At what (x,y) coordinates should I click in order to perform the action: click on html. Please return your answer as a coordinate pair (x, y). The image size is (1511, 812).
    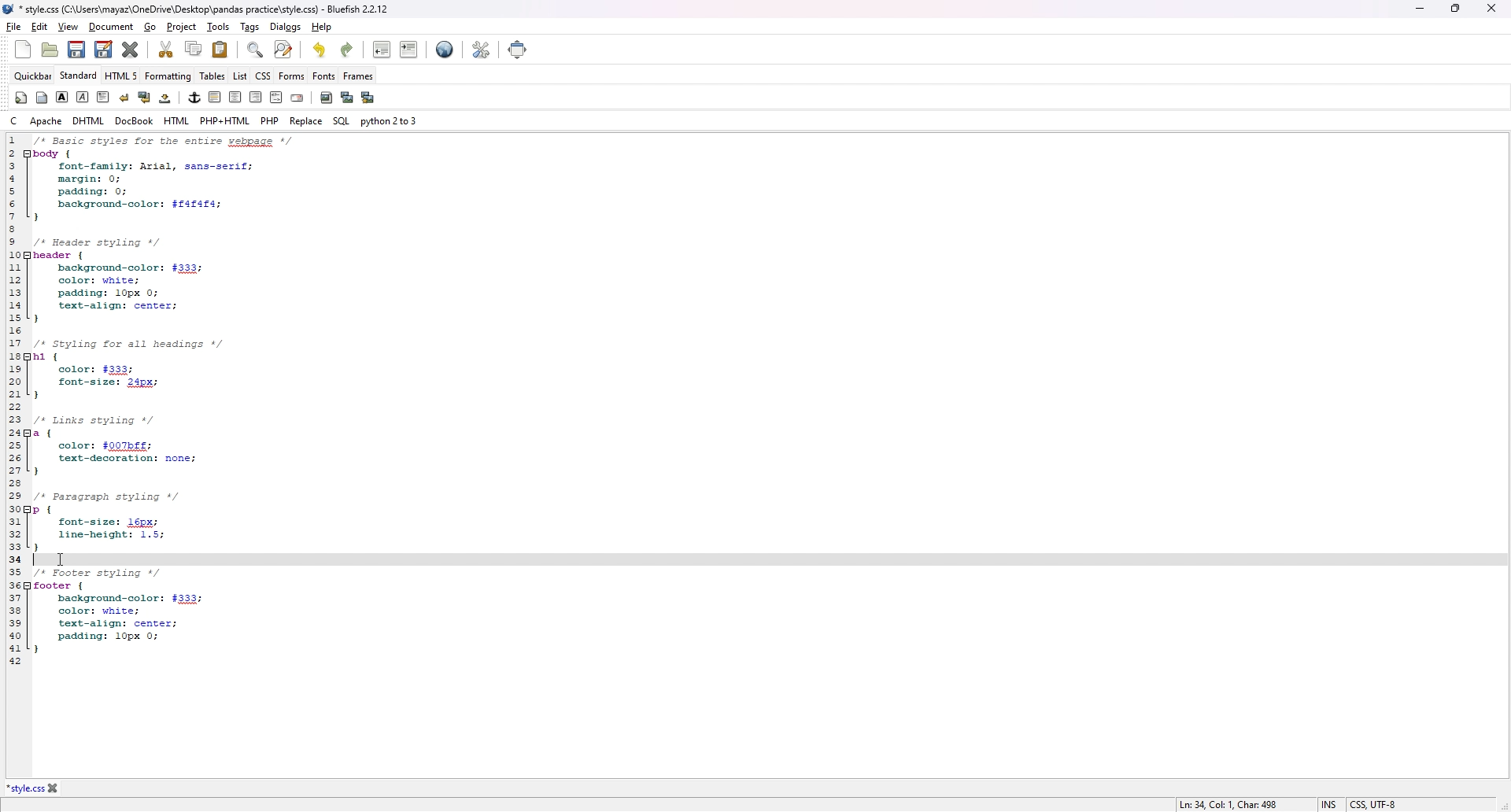
    Looking at the image, I should click on (177, 121).